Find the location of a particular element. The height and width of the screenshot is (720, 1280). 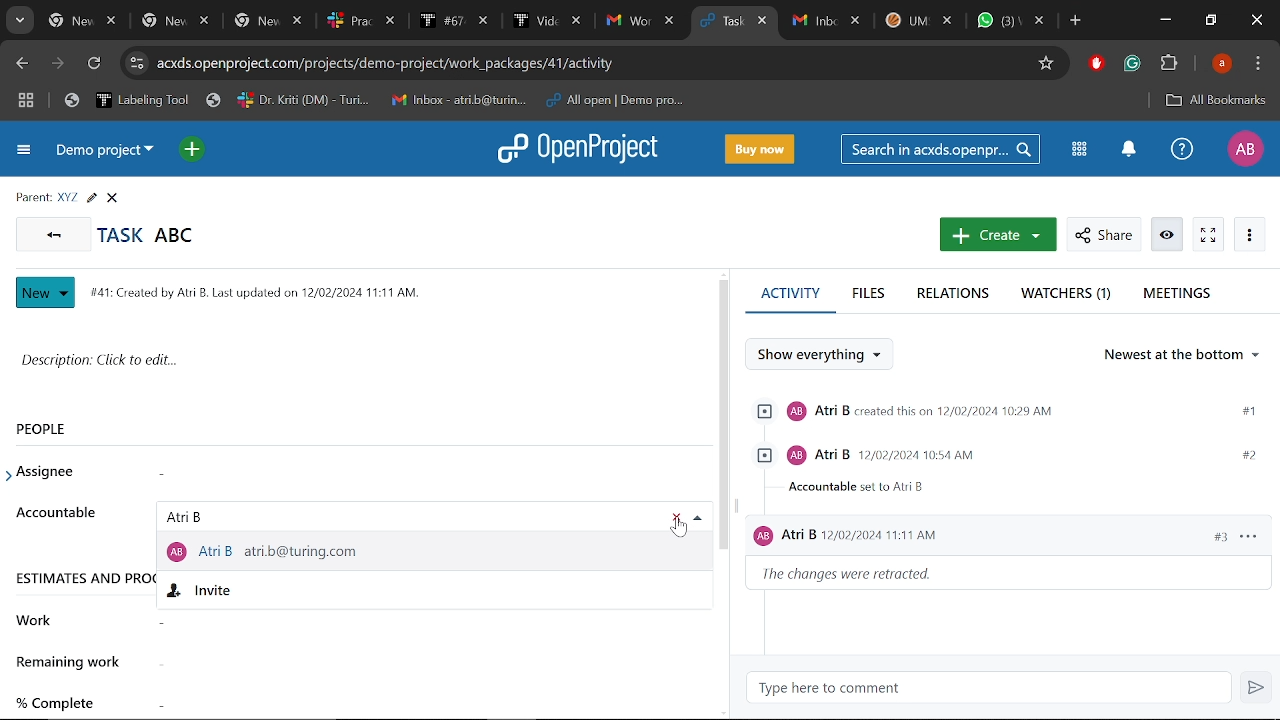

Invite is located at coordinates (213, 591).